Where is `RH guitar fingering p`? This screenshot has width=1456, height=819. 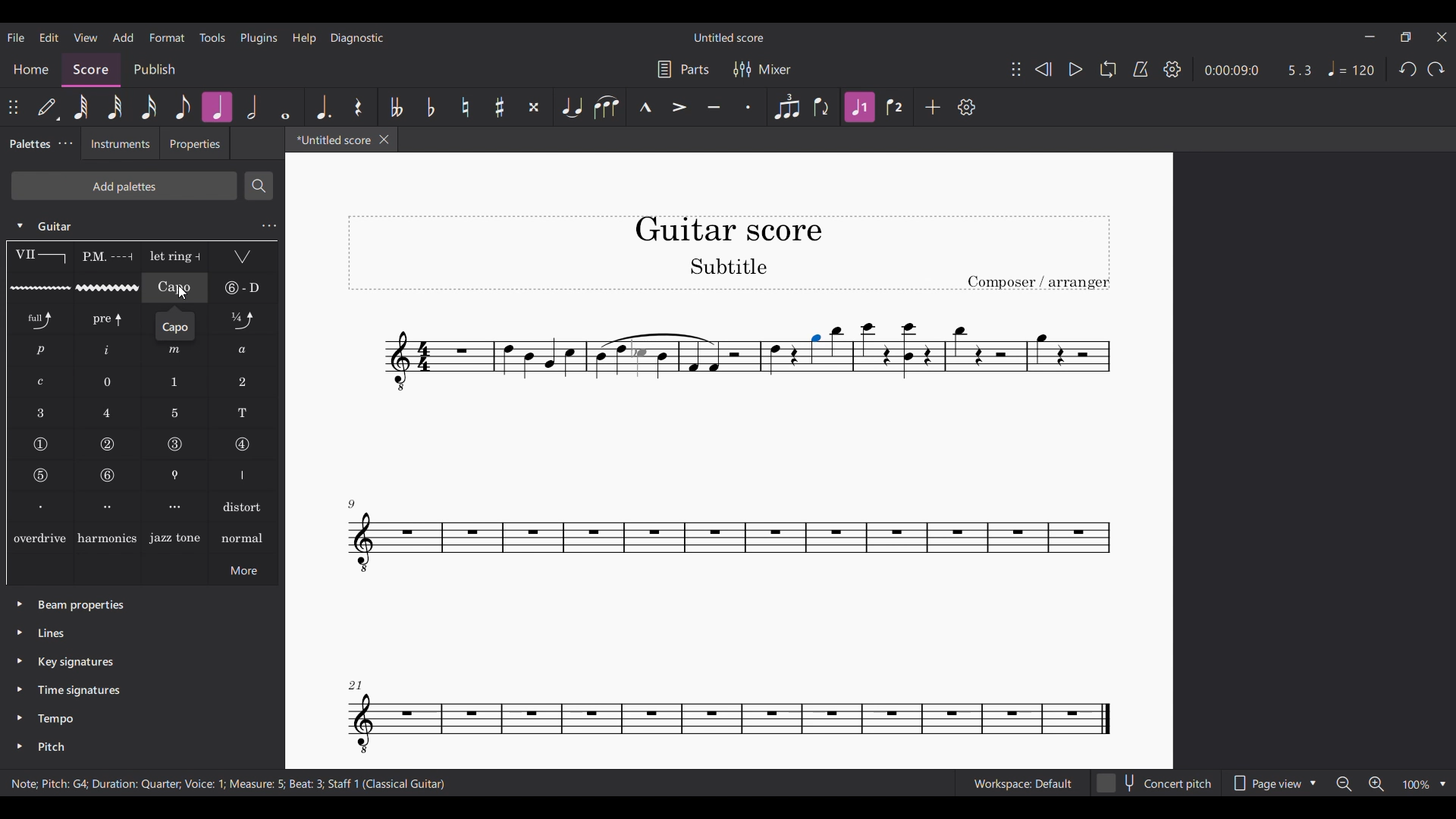
RH guitar fingering p is located at coordinates (41, 350).